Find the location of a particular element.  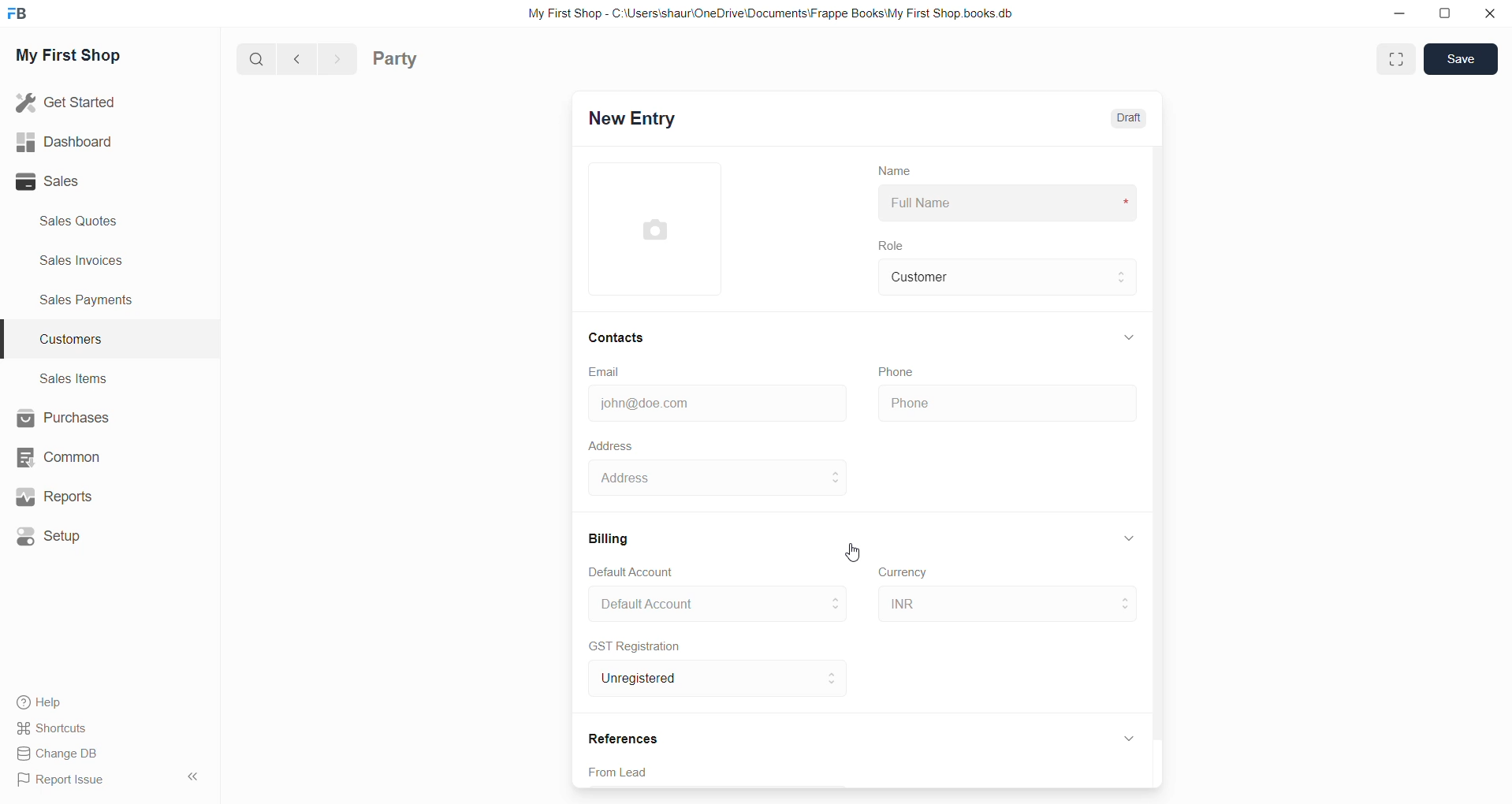

References is located at coordinates (627, 736).